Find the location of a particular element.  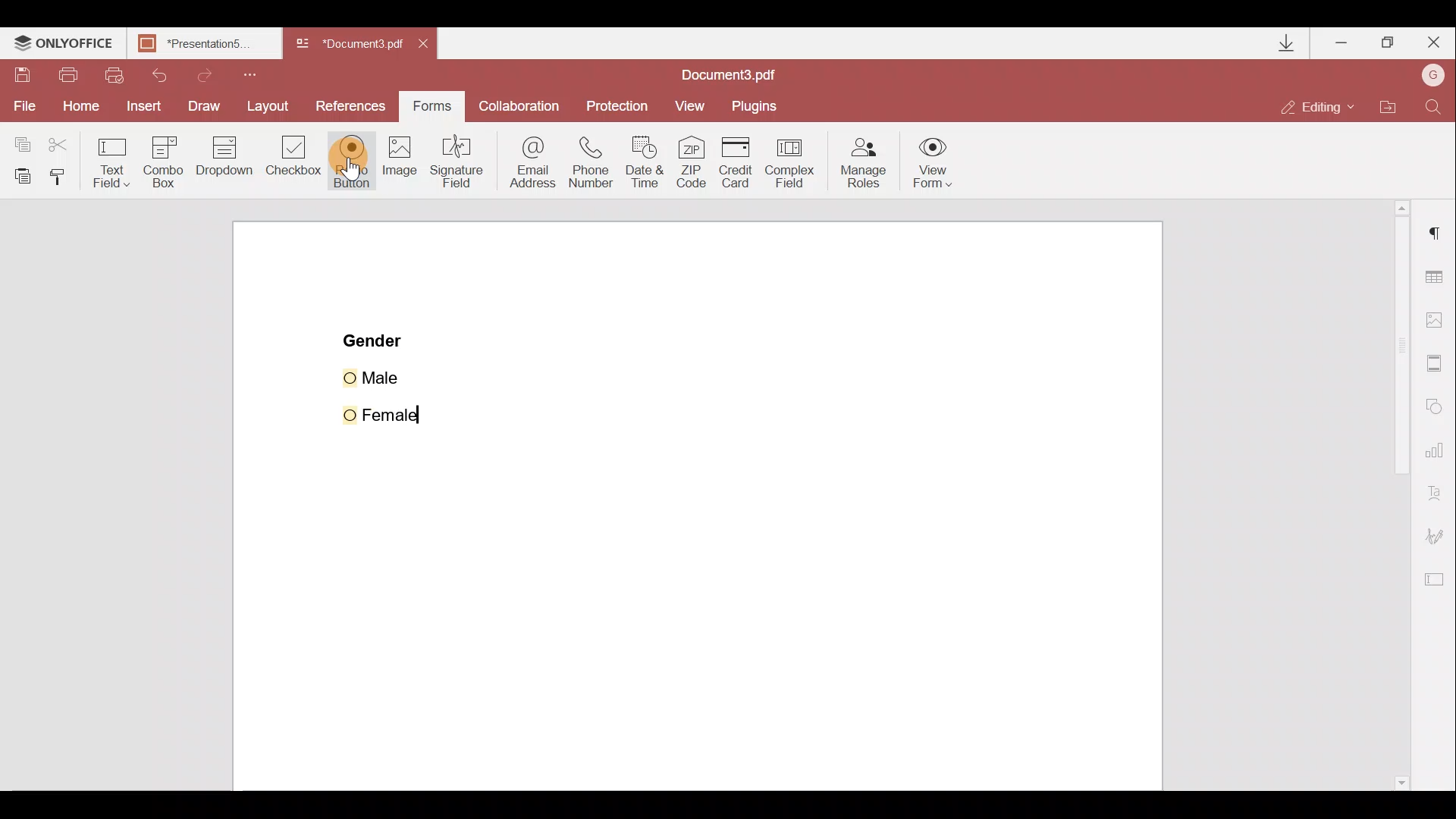

Document name is located at coordinates (202, 43).